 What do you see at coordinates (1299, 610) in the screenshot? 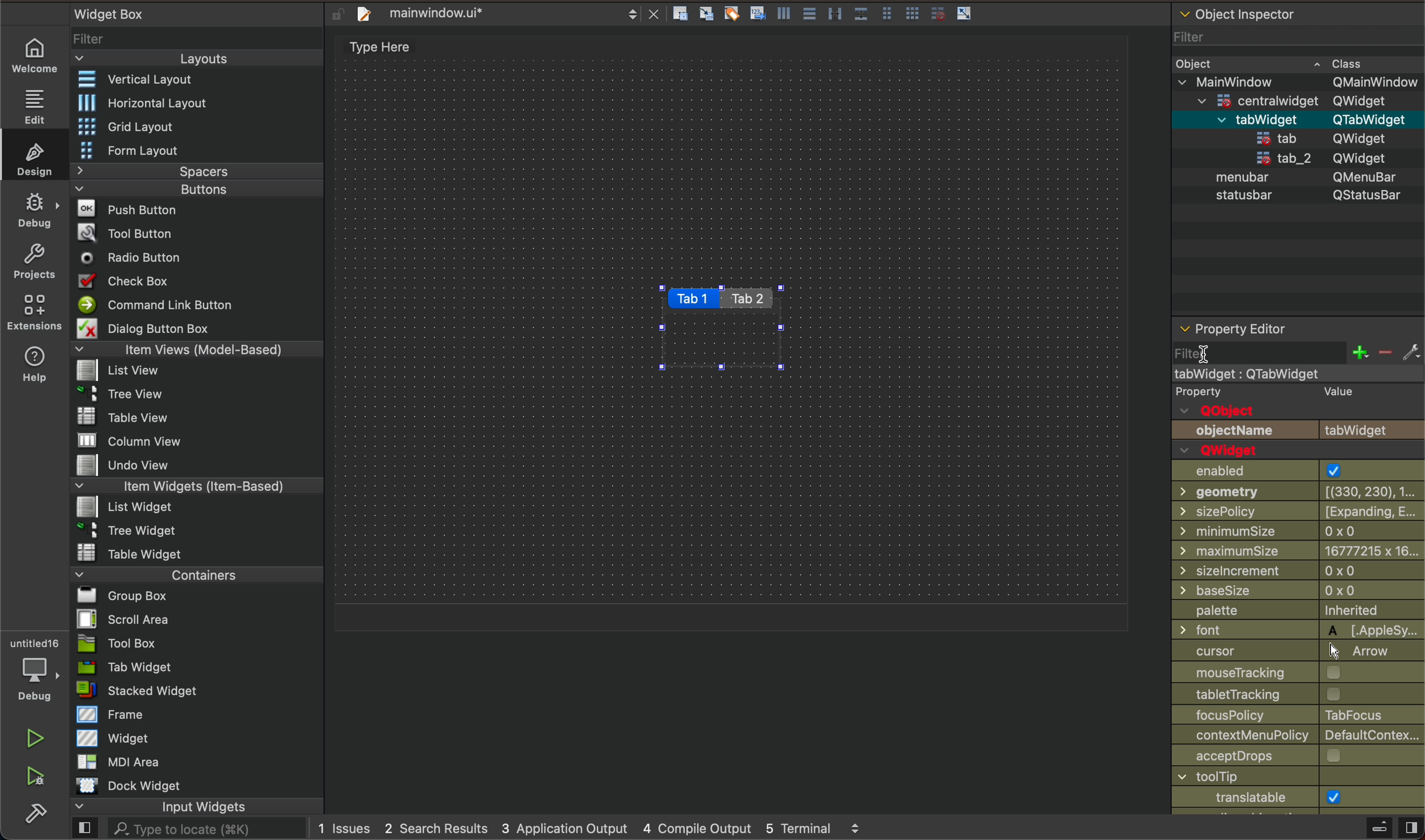
I see `palette` at bounding box center [1299, 610].